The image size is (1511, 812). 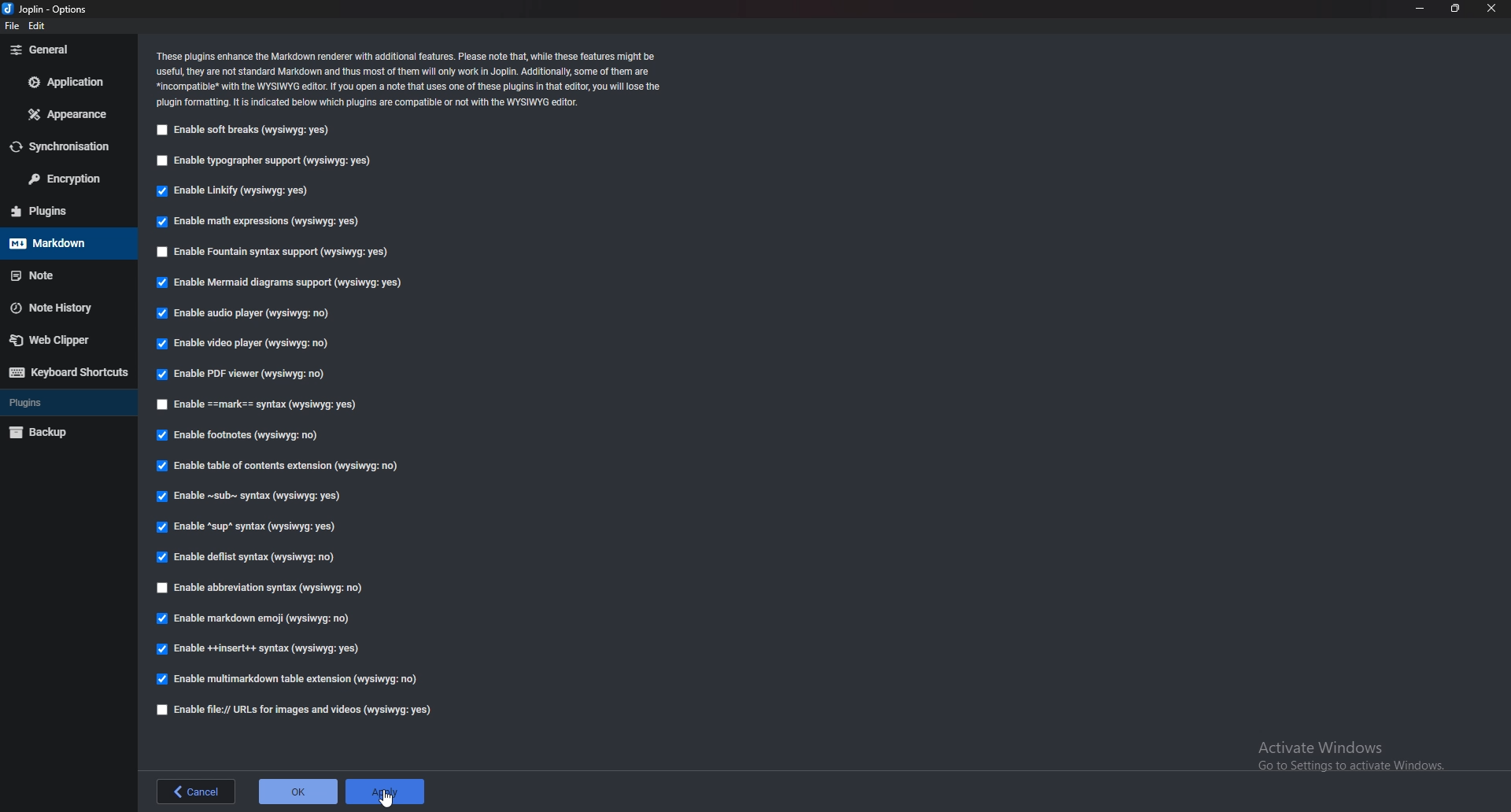 What do you see at coordinates (59, 433) in the screenshot?
I see `backup` at bounding box center [59, 433].